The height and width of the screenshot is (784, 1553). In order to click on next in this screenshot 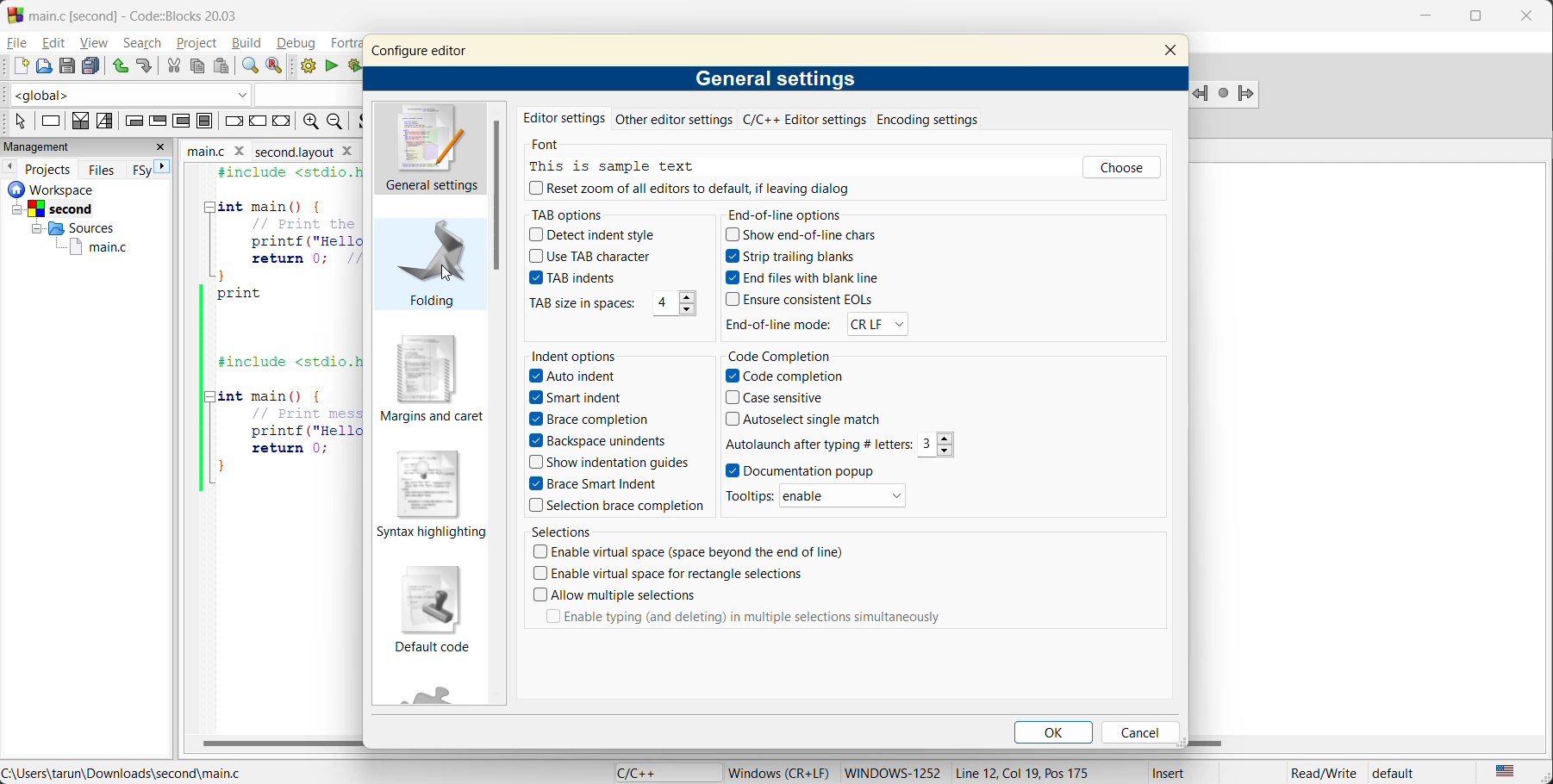, I will do `click(164, 167)`.